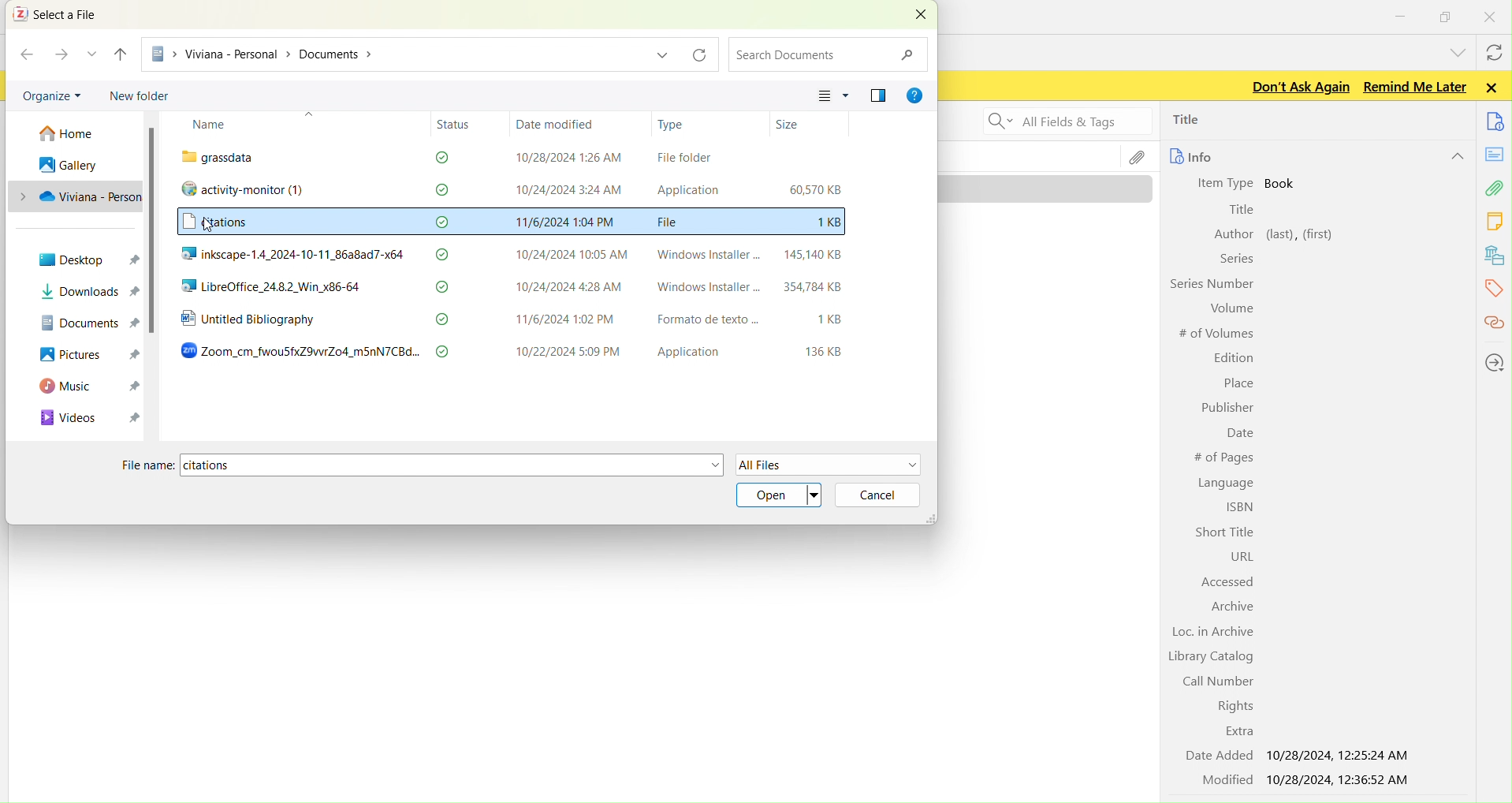 This screenshot has height=803, width=1512. What do you see at coordinates (73, 136) in the screenshot?
I see `home` at bounding box center [73, 136].